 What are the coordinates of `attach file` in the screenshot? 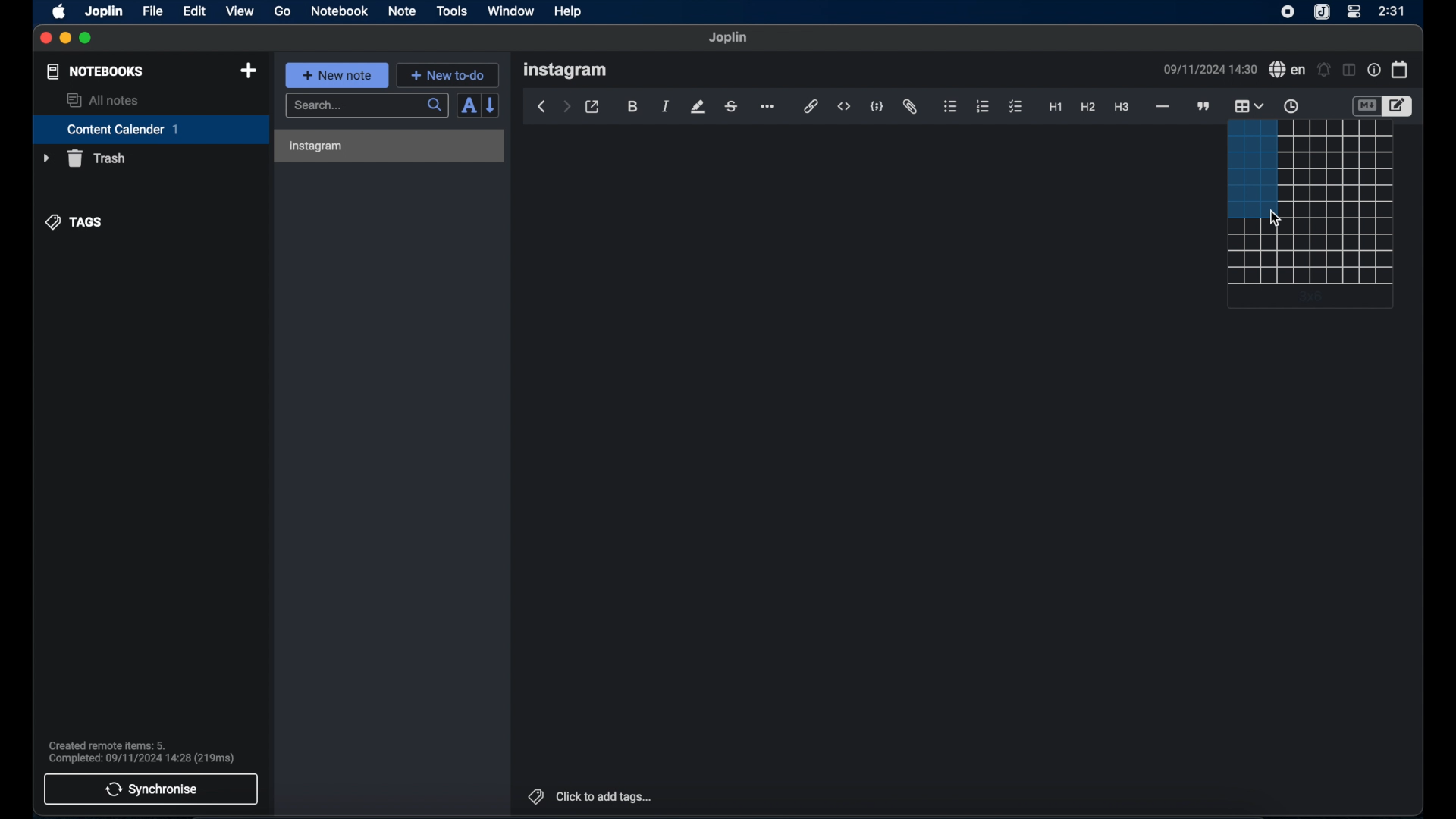 It's located at (912, 107).